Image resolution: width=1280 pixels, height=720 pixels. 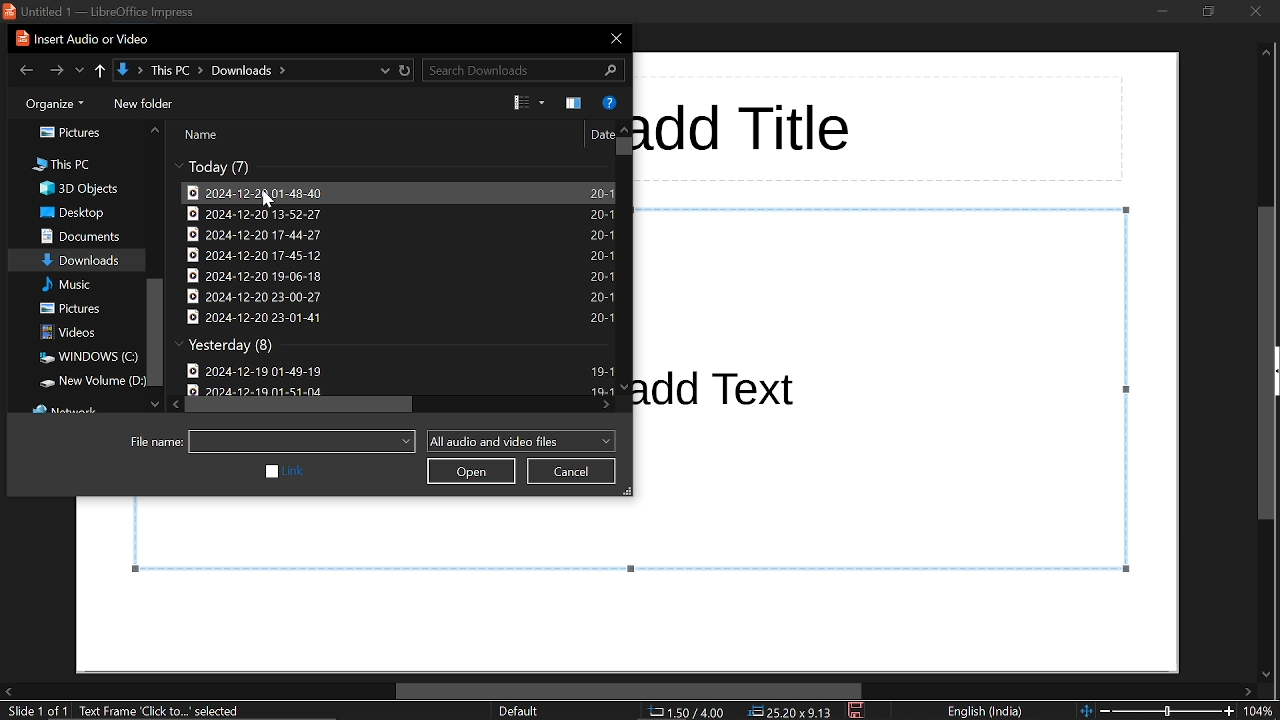 I want to click on current slide, so click(x=36, y=712).